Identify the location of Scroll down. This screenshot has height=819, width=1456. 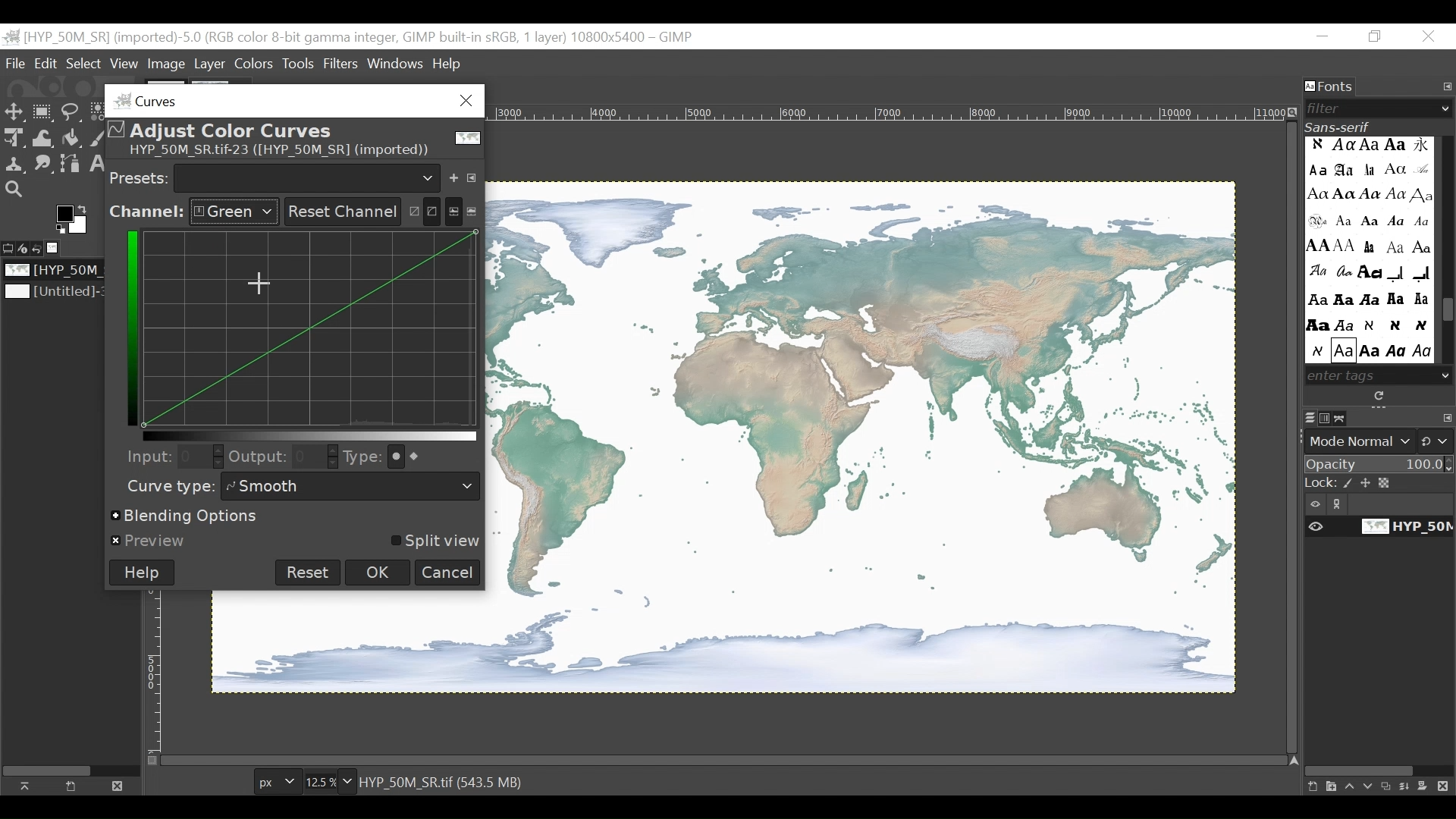
(1446, 375).